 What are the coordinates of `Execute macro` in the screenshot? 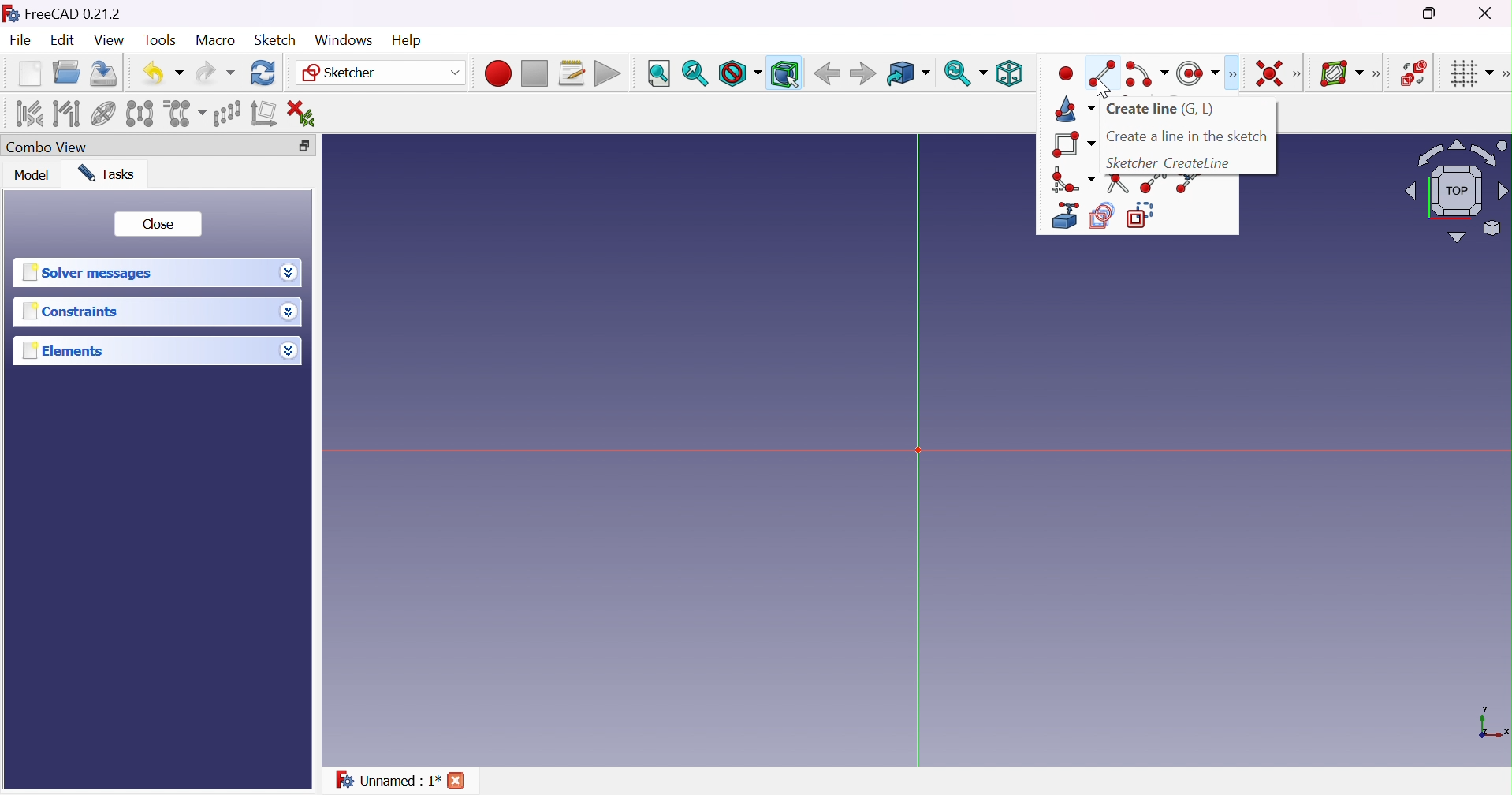 It's located at (608, 73).